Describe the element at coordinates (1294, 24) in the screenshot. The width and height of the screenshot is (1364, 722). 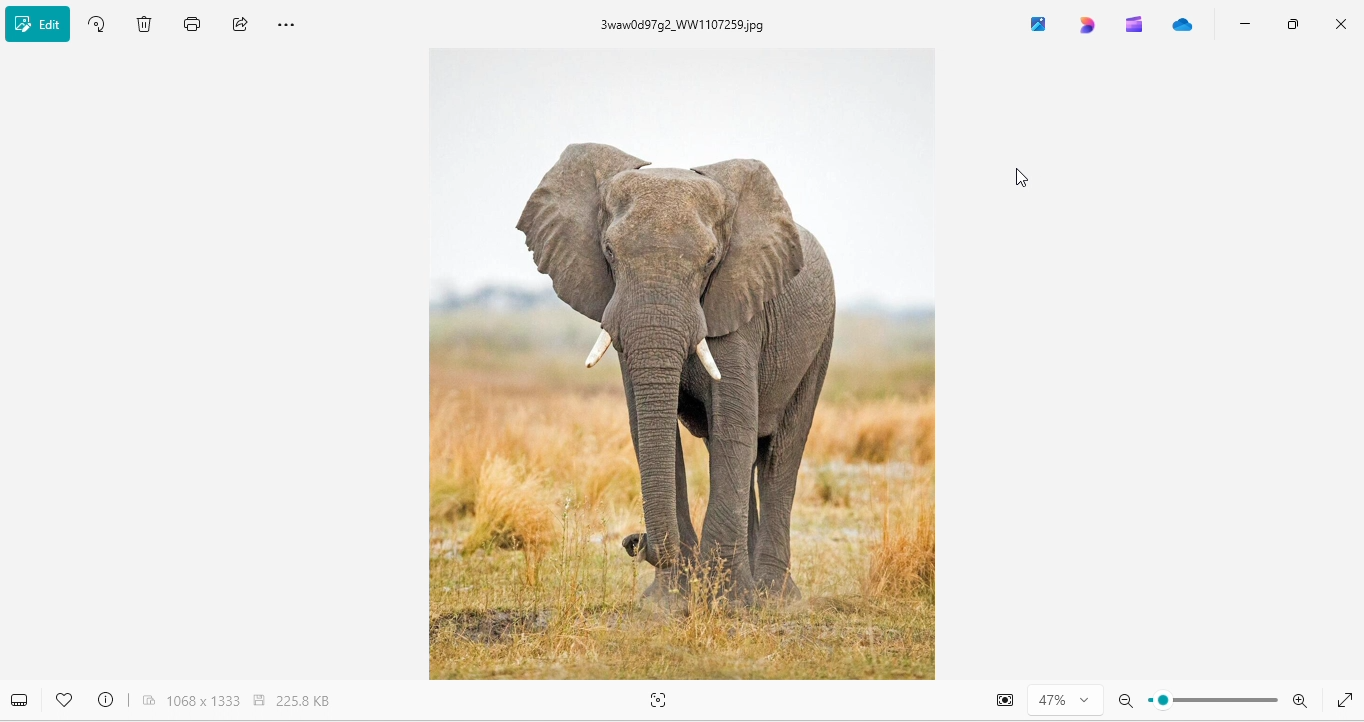
I see `maximize` at that location.